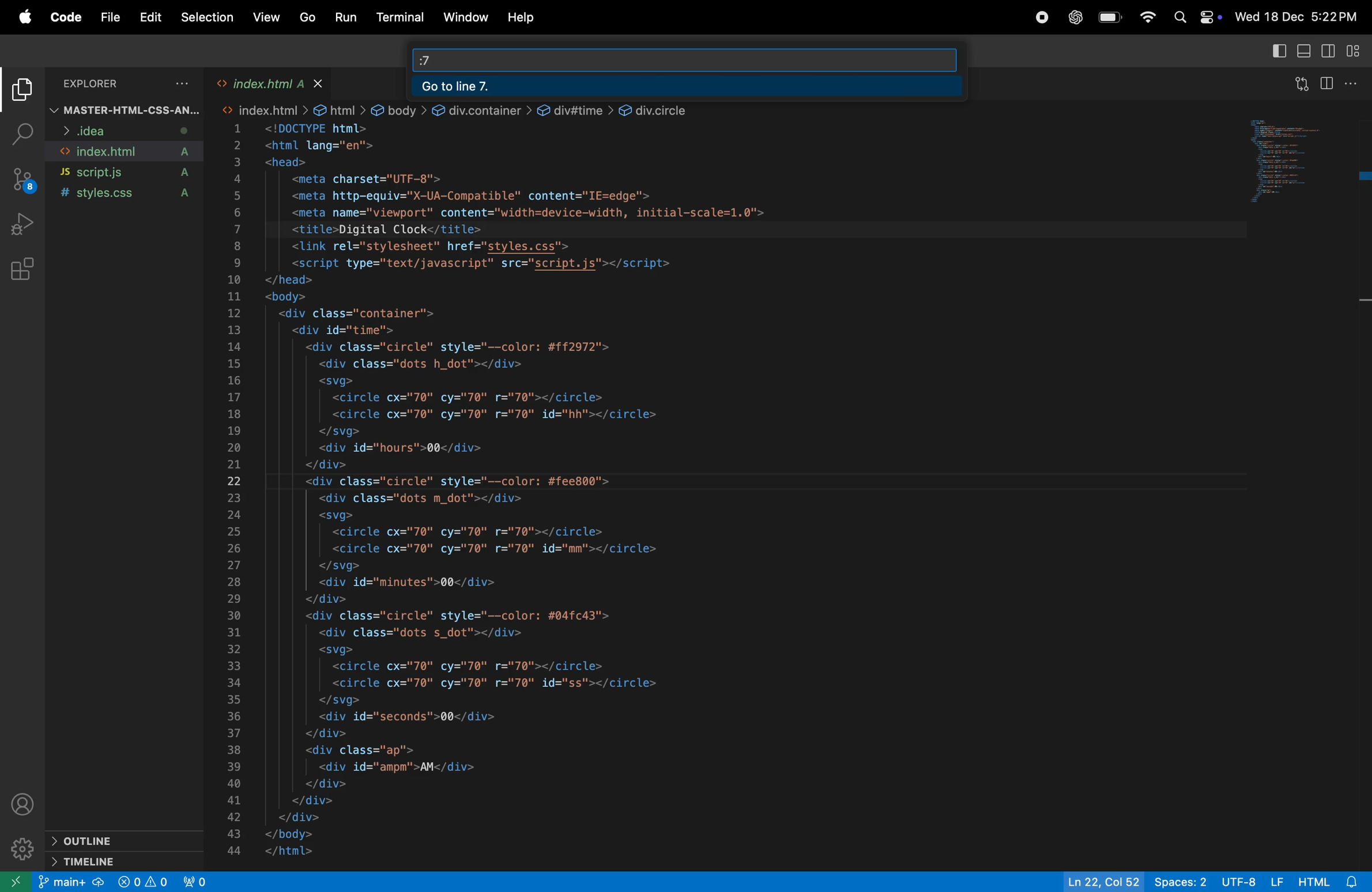  What do you see at coordinates (129, 85) in the screenshot?
I see `explorer` at bounding box center [129, 85].